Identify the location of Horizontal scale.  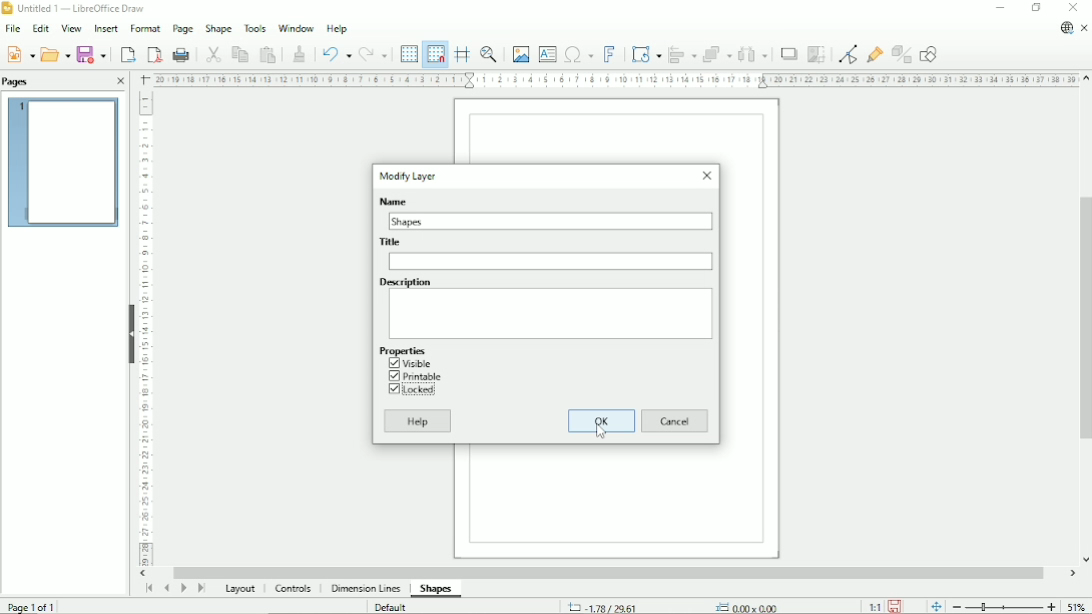
(613, 80).